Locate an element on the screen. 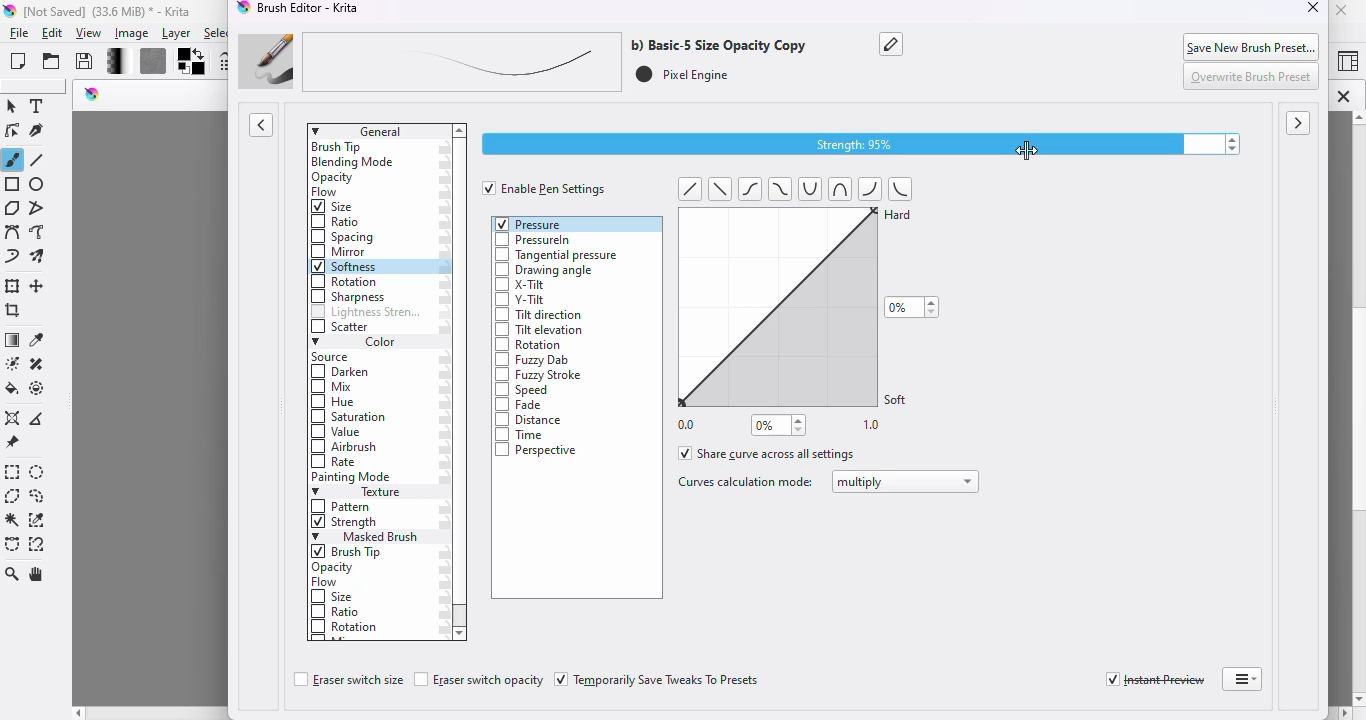 The image size is (1366, 720). edit is located at coordinates (54, 33).